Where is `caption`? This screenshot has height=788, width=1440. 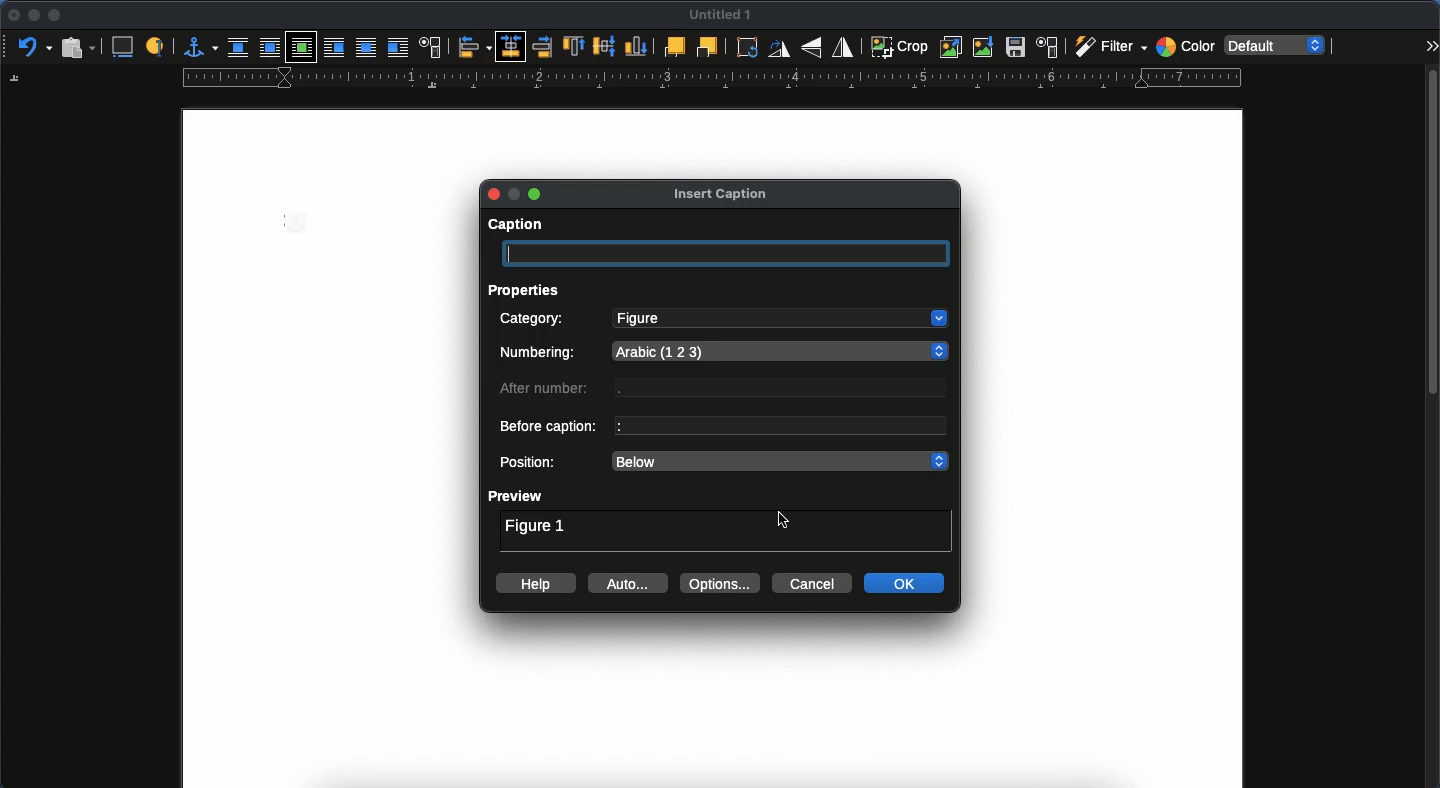 caption is located at coordinates (512, 226).